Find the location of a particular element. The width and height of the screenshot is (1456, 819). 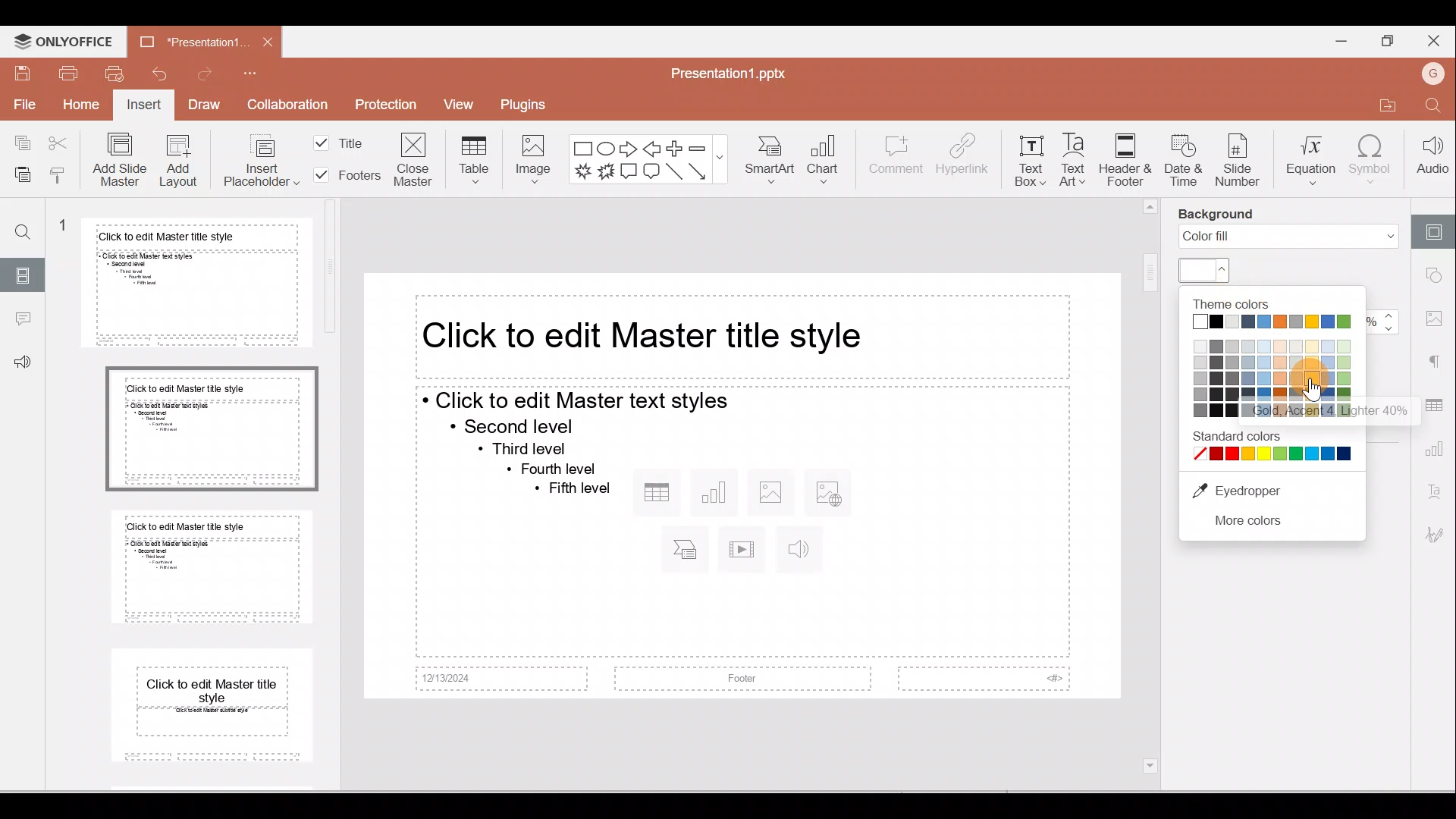

Theme colour palette is located at coordinates (1270, 356).